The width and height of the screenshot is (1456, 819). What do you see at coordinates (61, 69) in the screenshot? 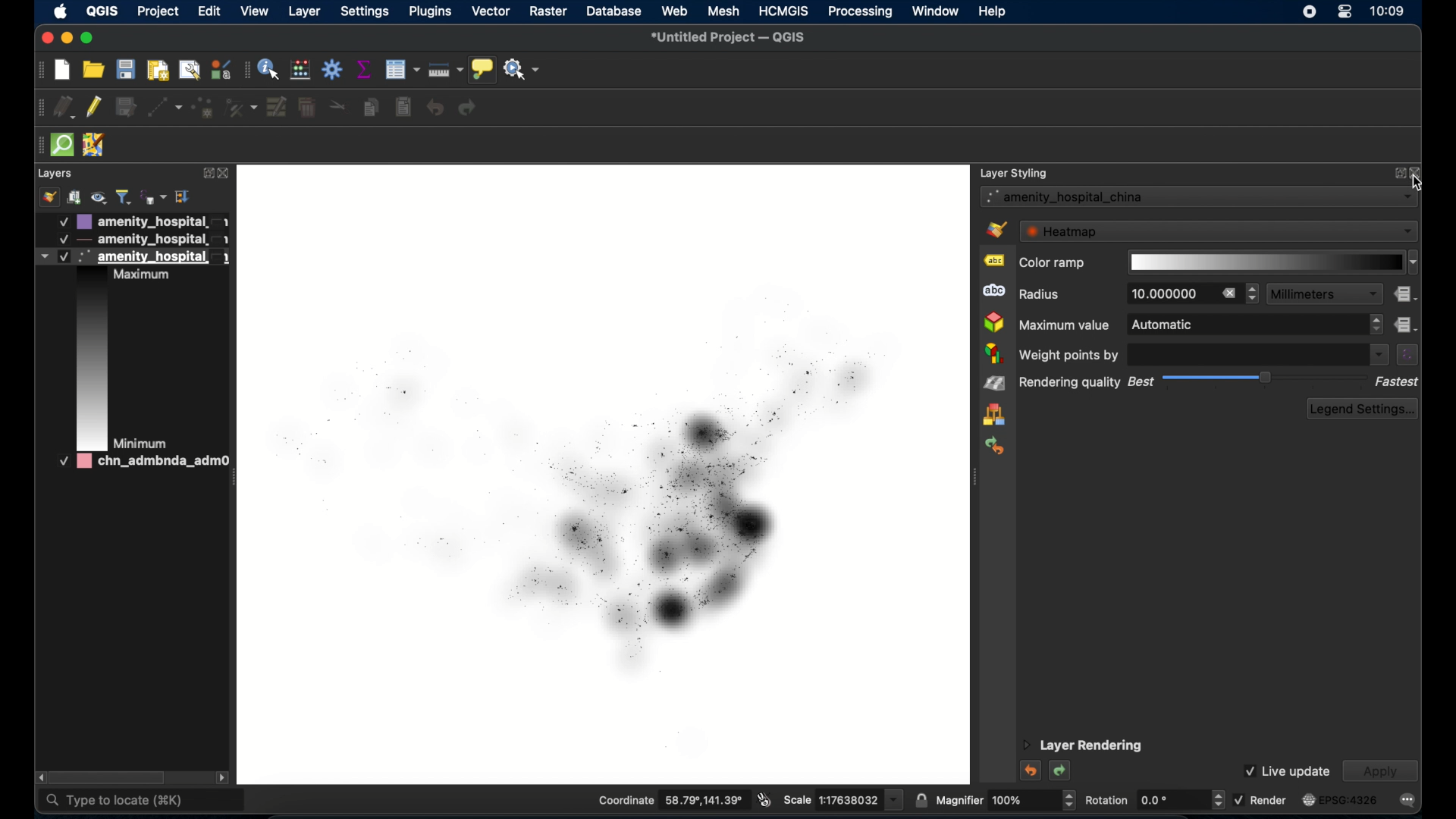
I see `create new project` at bounding box center [61, 69].